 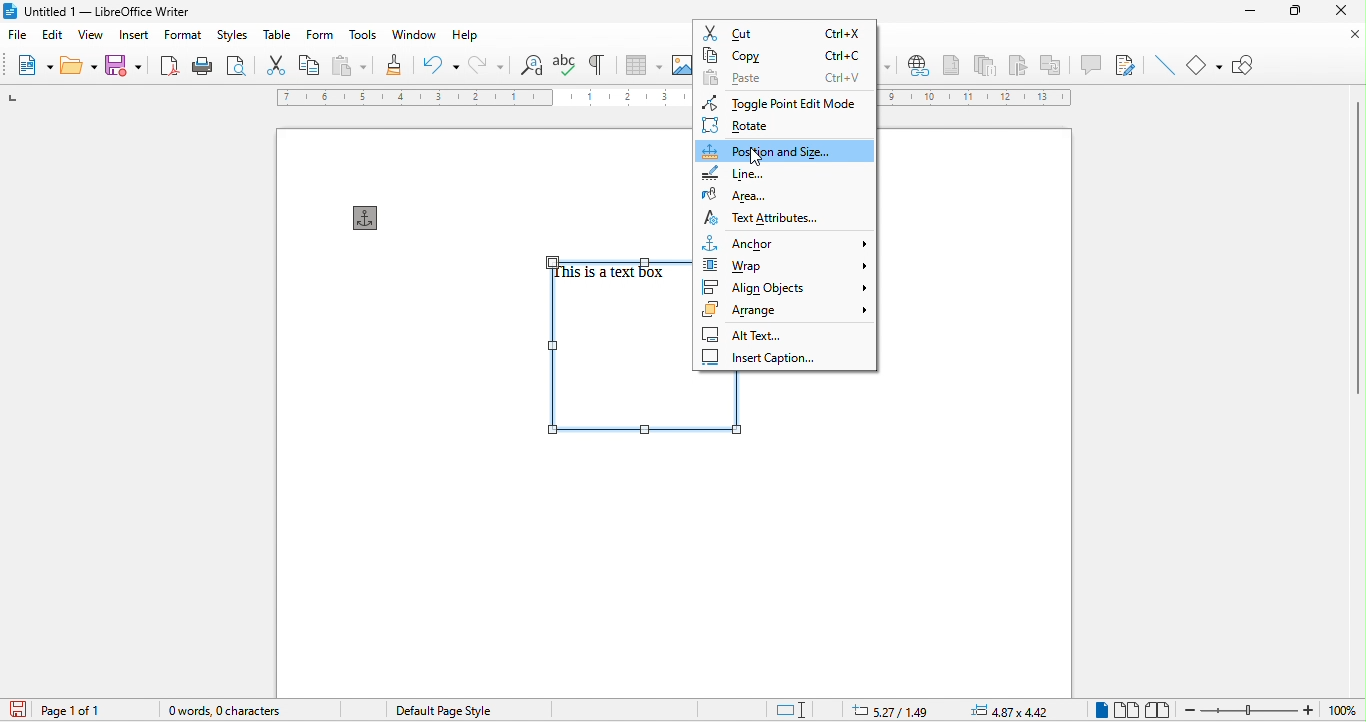 What do you see at coordinates (785, 79) in the screenshot?
I see `paste` at bounding box center [785, 79].